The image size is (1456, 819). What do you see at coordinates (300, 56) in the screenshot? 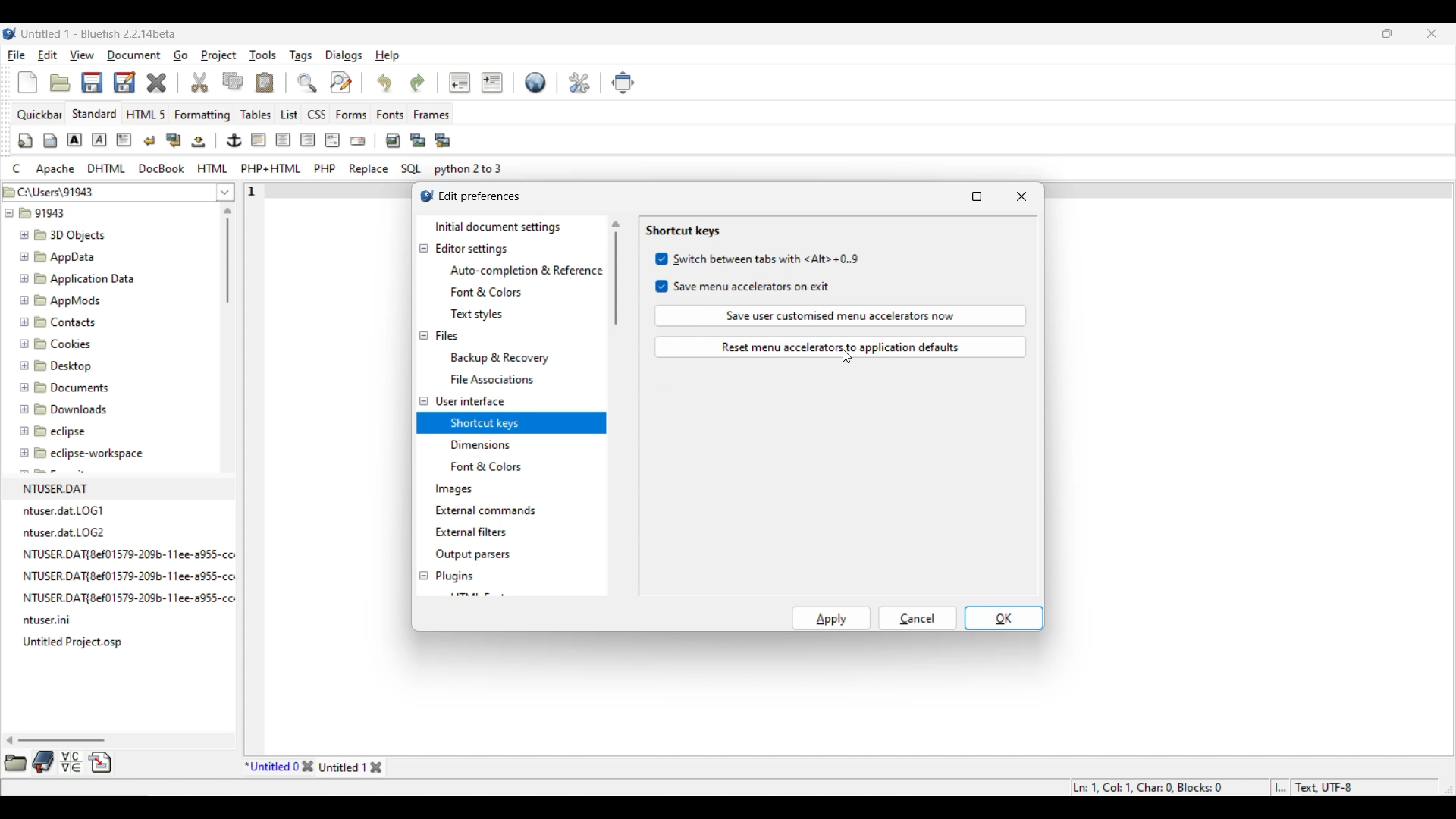
I see `Tags menu` at bounding box center [300, 56].